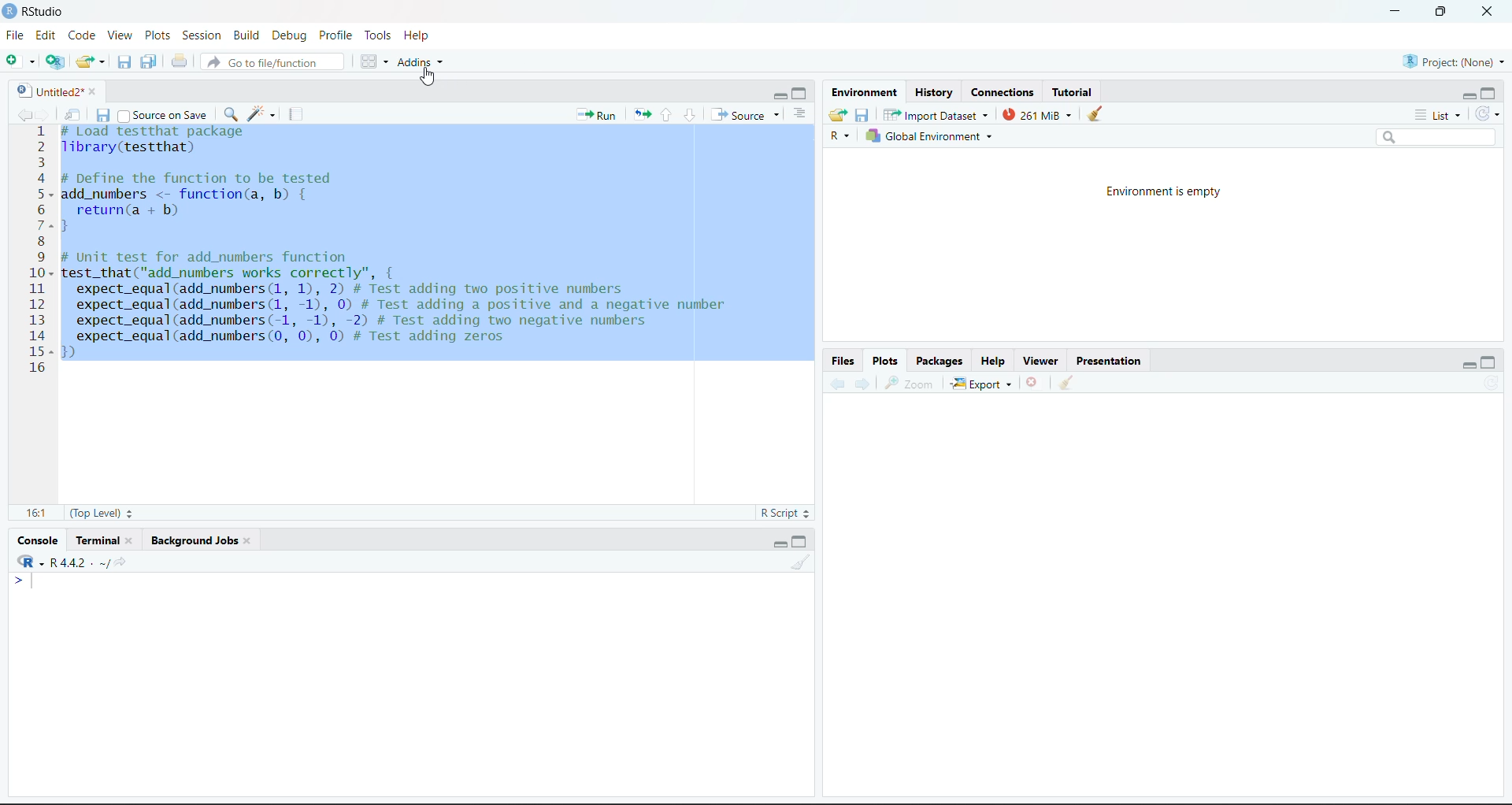 Image resolution: width=1512 pixels, height=805 pixels. Describe the element at coordinates (839, 114) in the screenshot. I see `Load workspace` at that location.